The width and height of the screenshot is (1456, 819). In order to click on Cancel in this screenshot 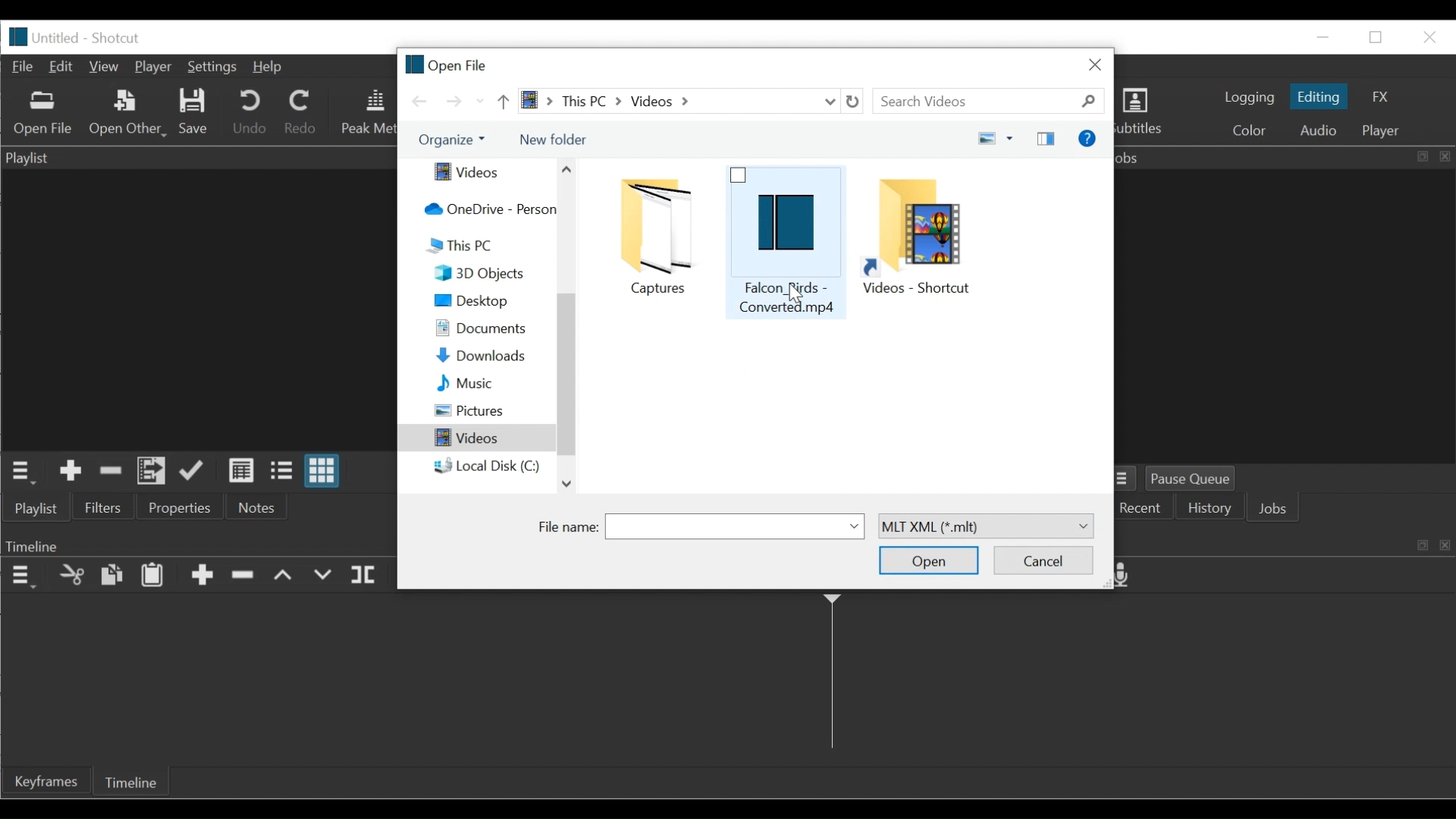, I will do `click(1043, 560)`.